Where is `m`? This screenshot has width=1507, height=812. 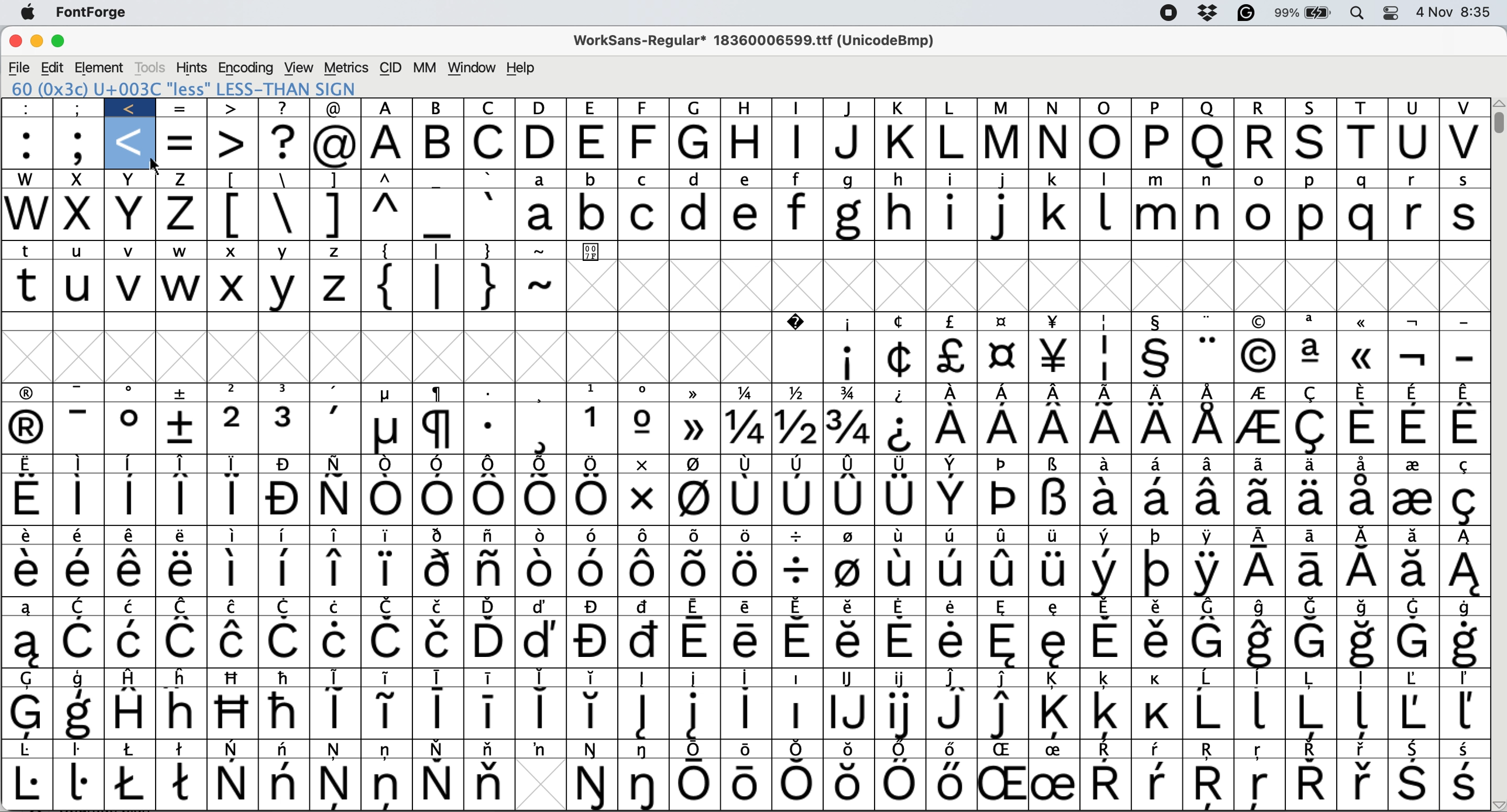 m is located at coordinates (1007, 142).